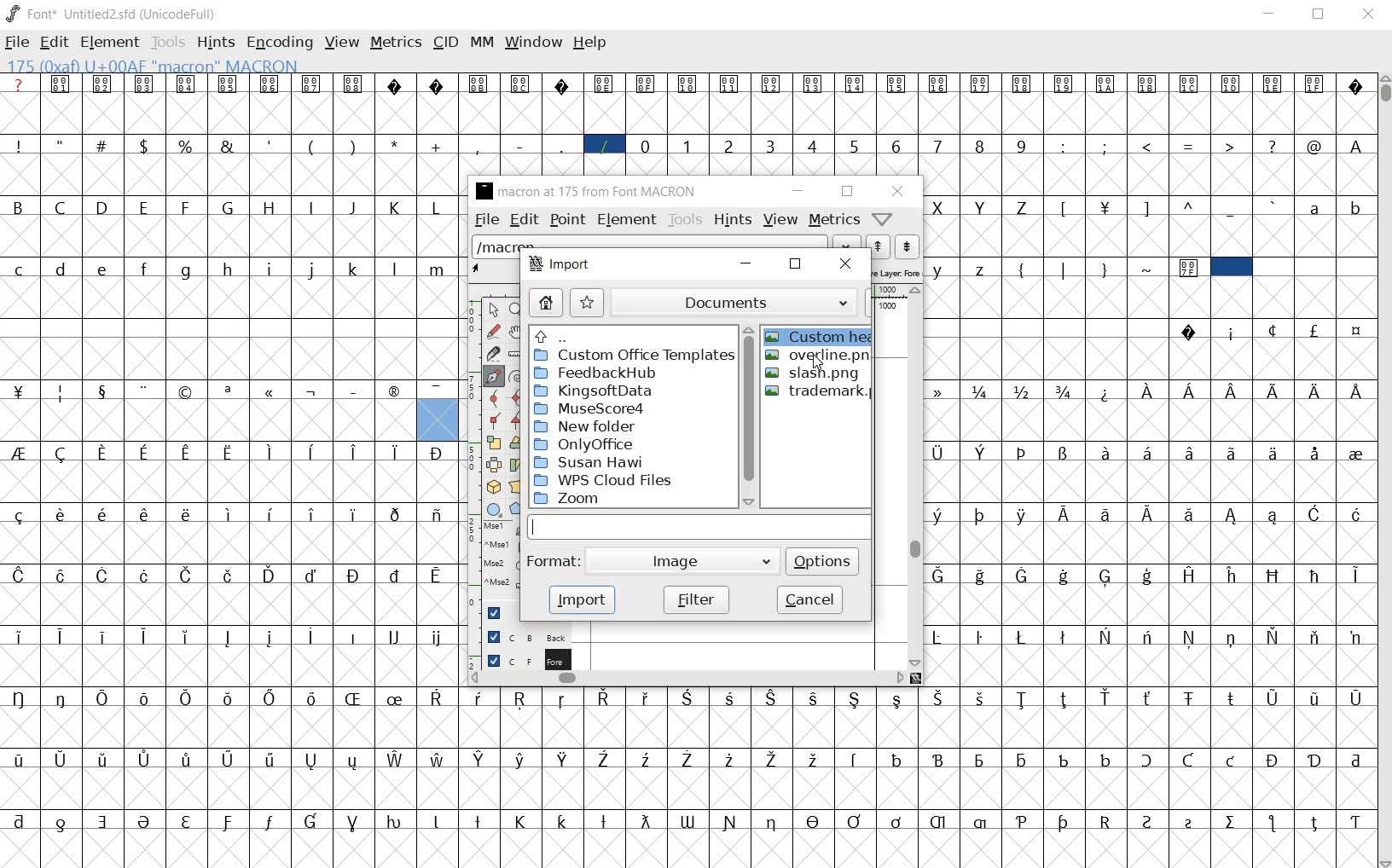 The height and width of the screenshot is (868, 1392). Describe the element at coordinates (1230, 759) in the screenshot. I see `Symbol` at that location.